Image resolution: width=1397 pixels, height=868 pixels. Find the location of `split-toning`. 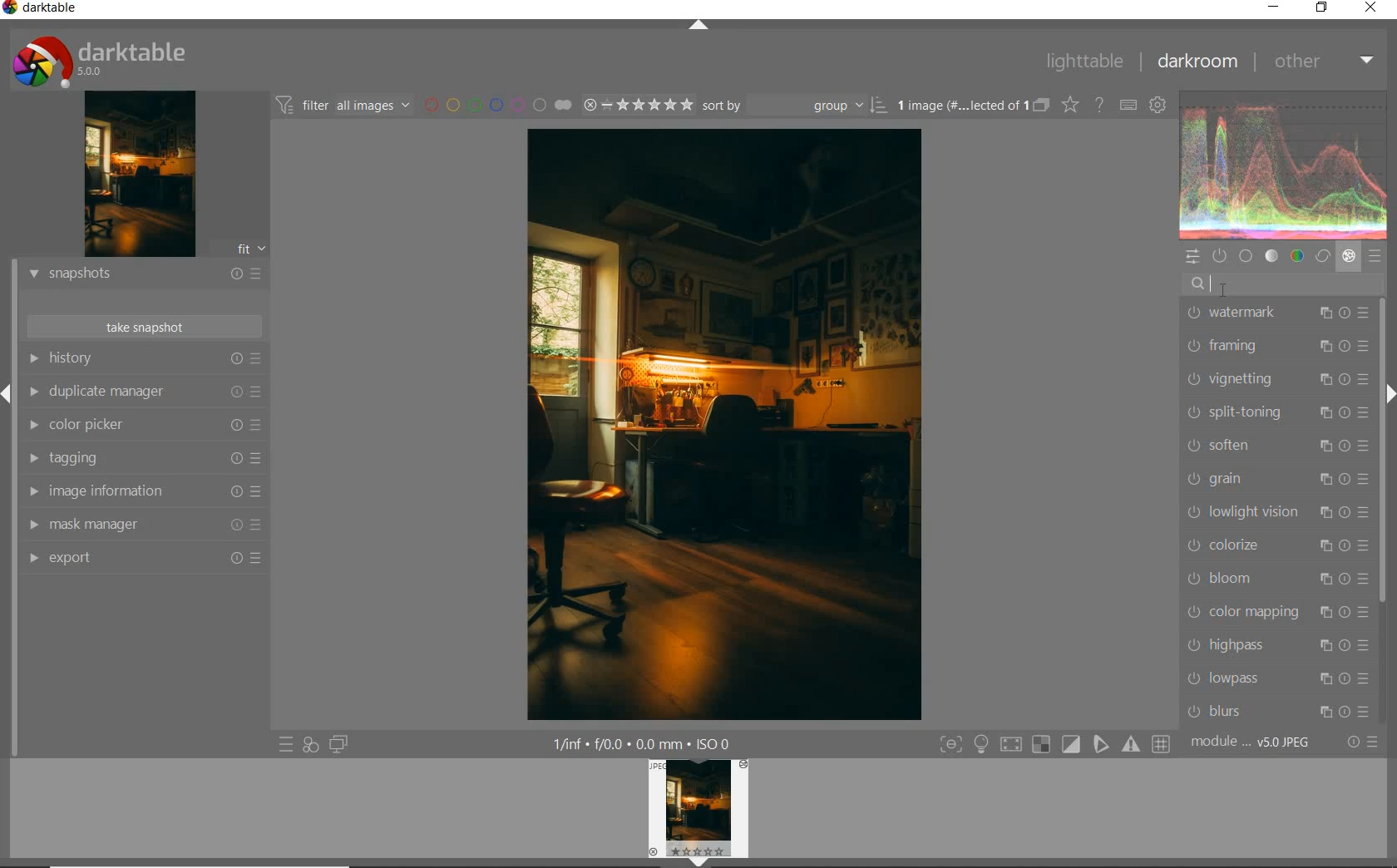

split-toning is located at coordinates (1277, 412).